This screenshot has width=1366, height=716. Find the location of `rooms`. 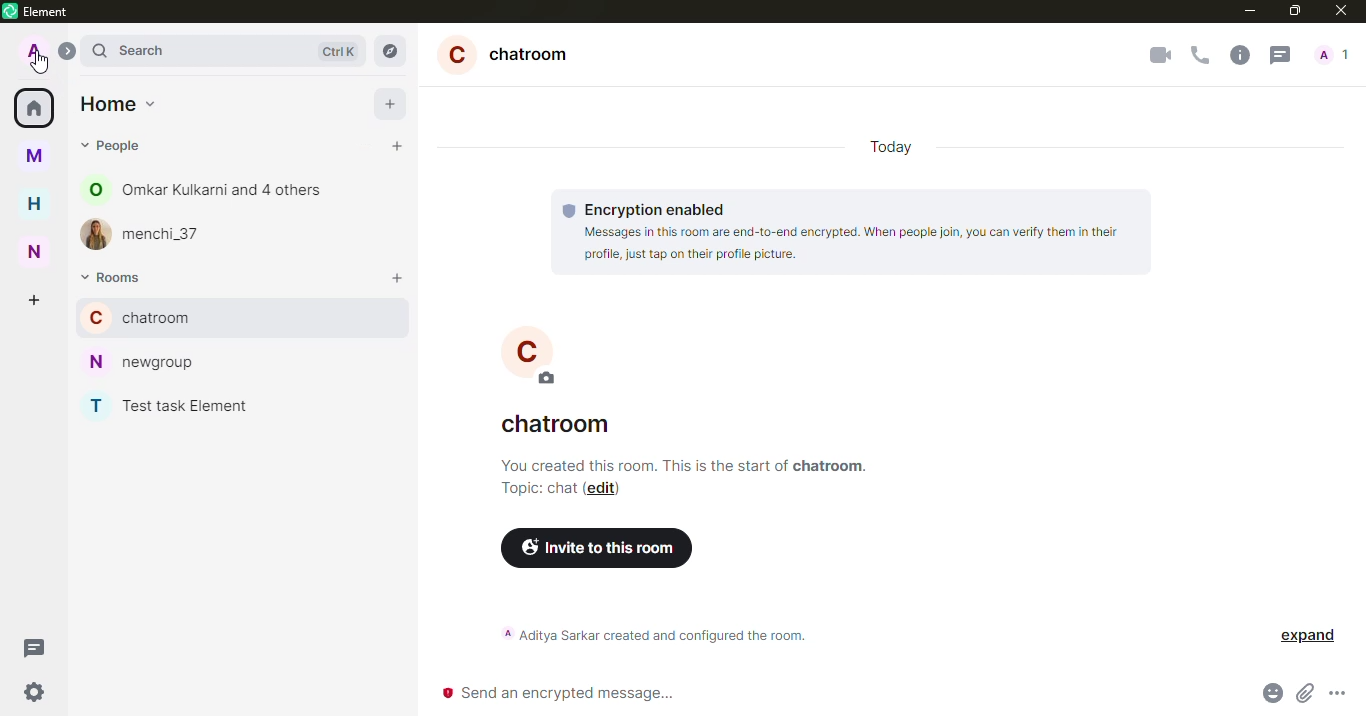

rooms is located at coordinates (114, 279).